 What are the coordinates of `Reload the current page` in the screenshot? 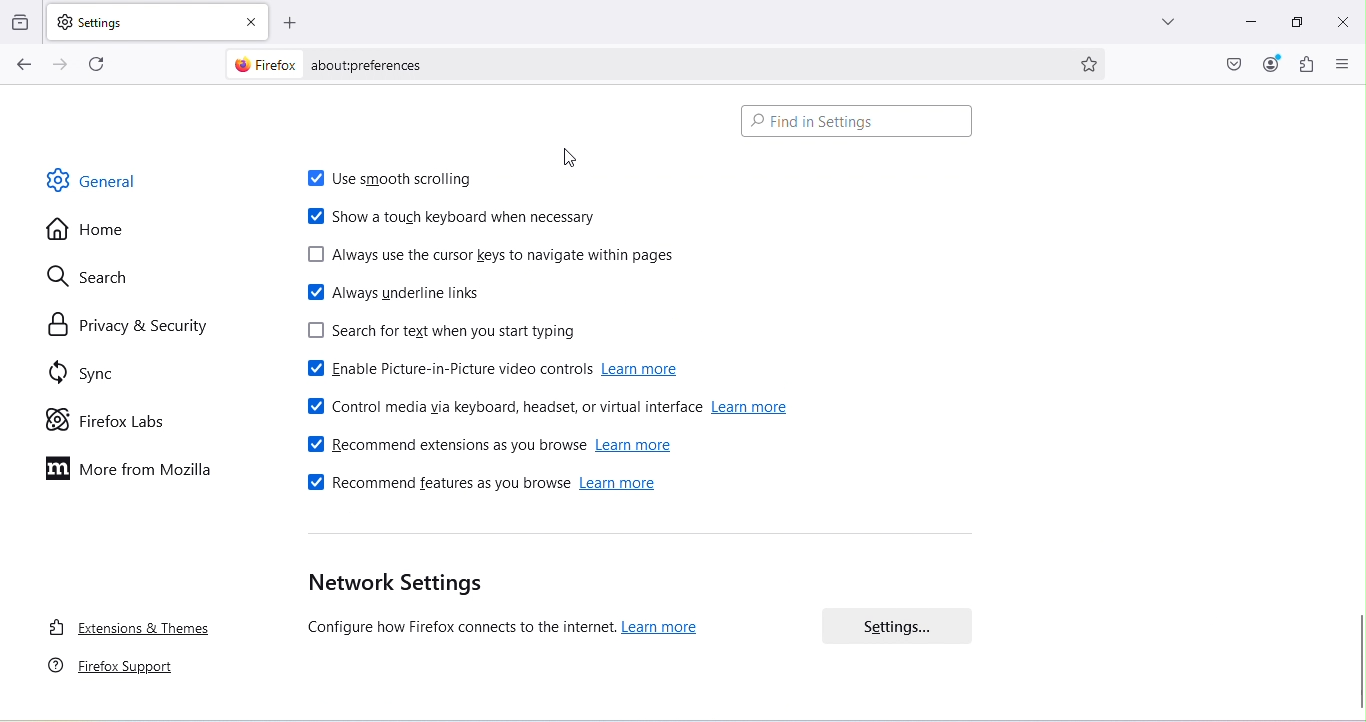 It's located at (96, 65).